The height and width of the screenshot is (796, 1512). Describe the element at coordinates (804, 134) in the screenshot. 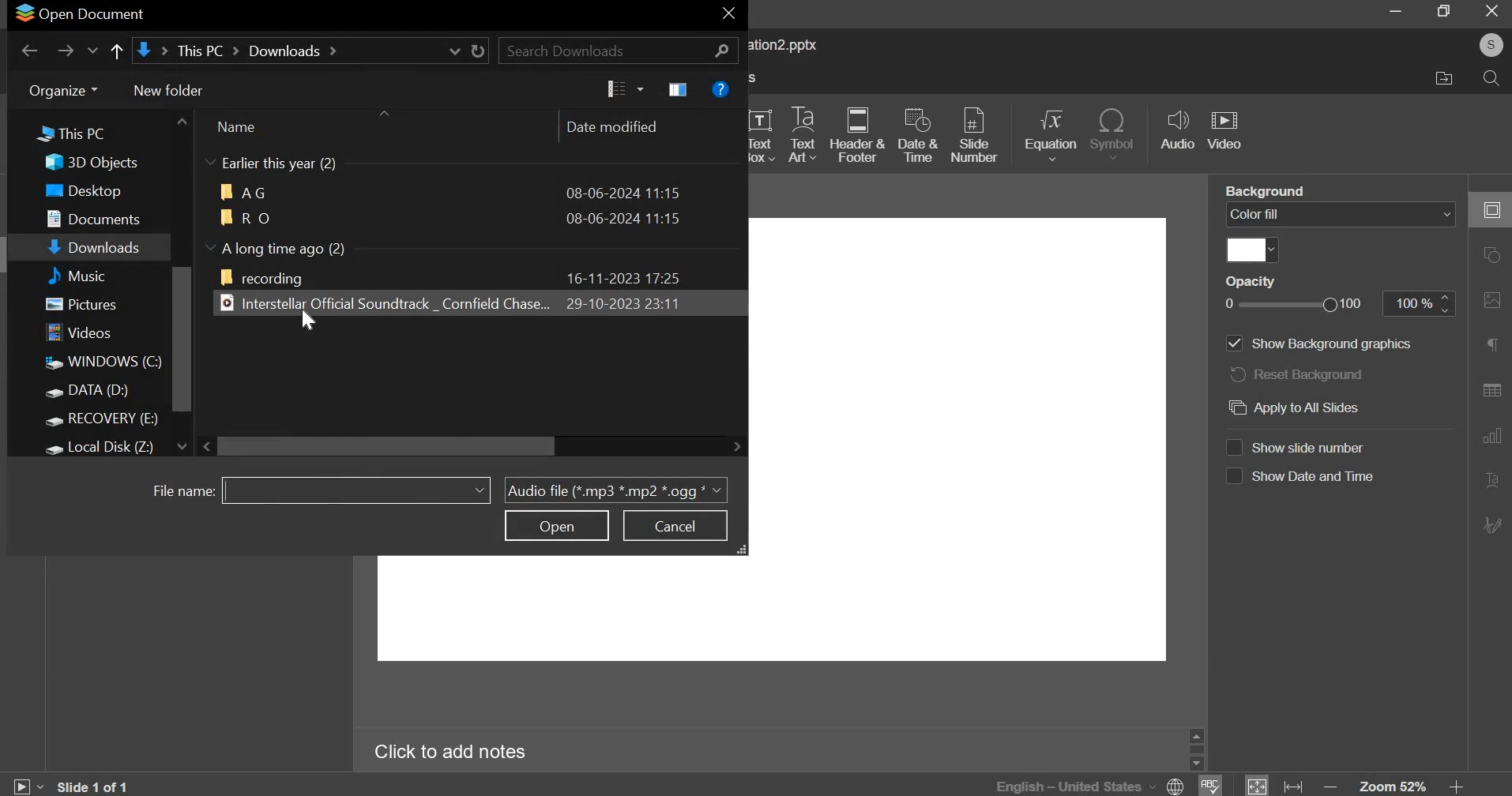

I see `text art` at that location.